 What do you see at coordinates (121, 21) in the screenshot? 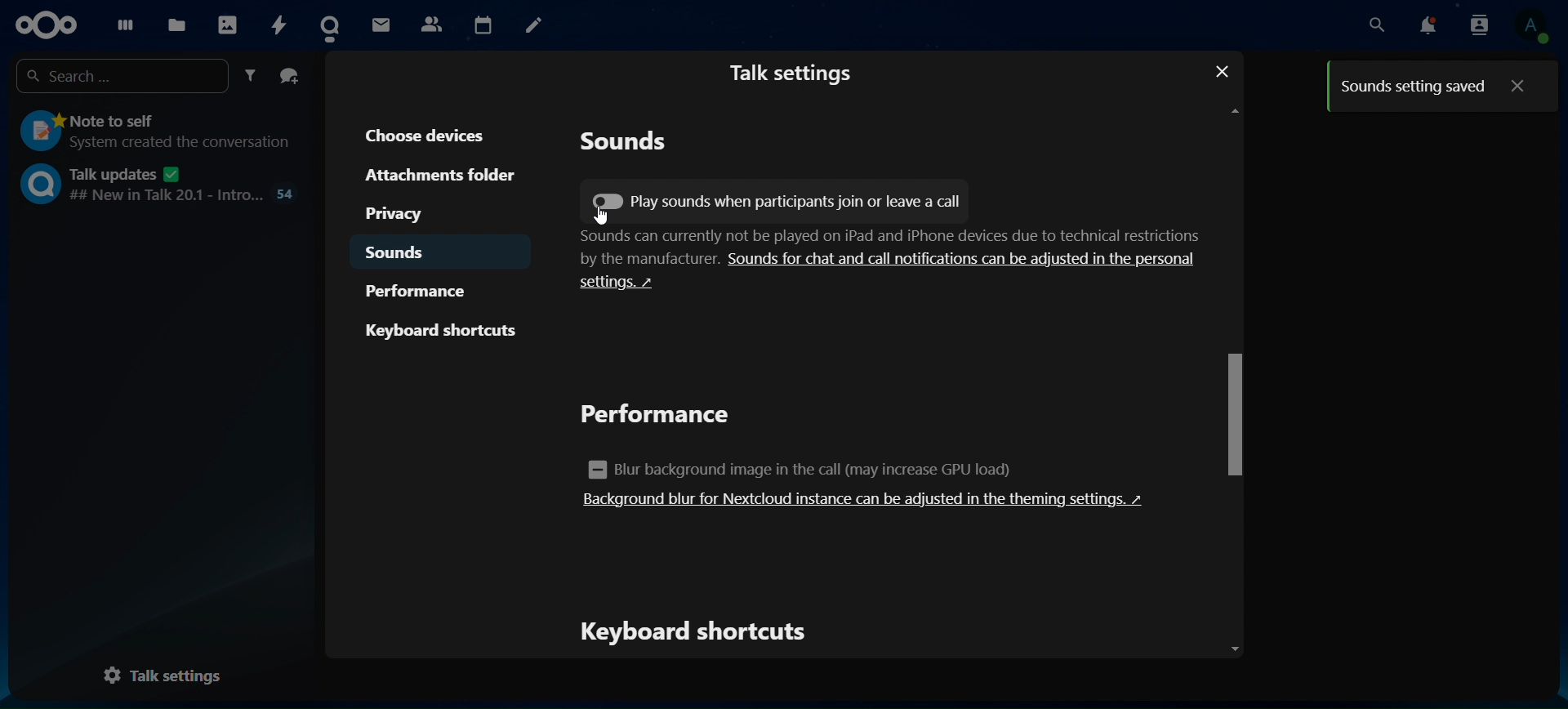
I see `dashboard` at bounding box center [121, 21].